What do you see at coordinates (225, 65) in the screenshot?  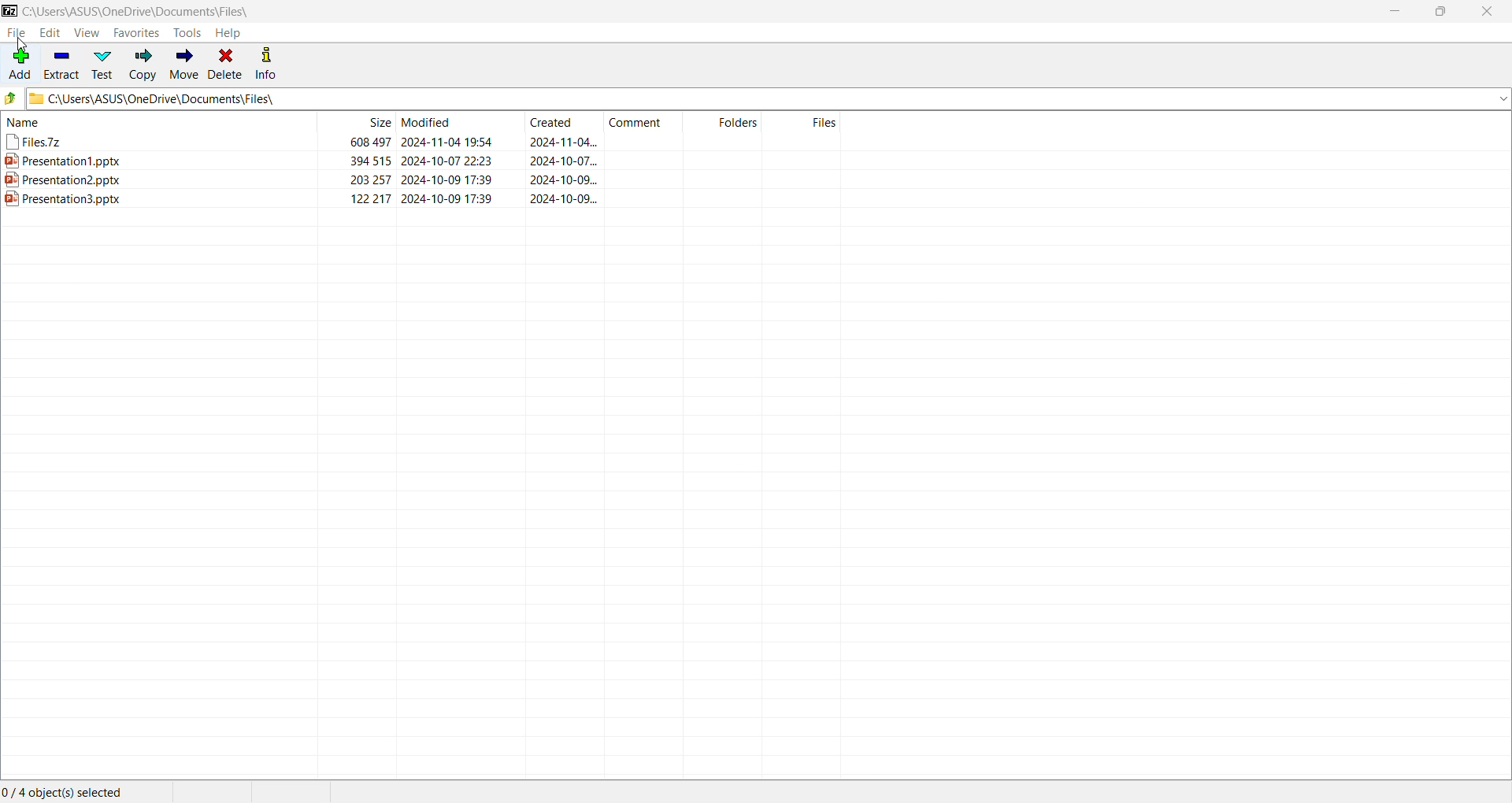 I see `Delete` at bounding box center [225, 65].